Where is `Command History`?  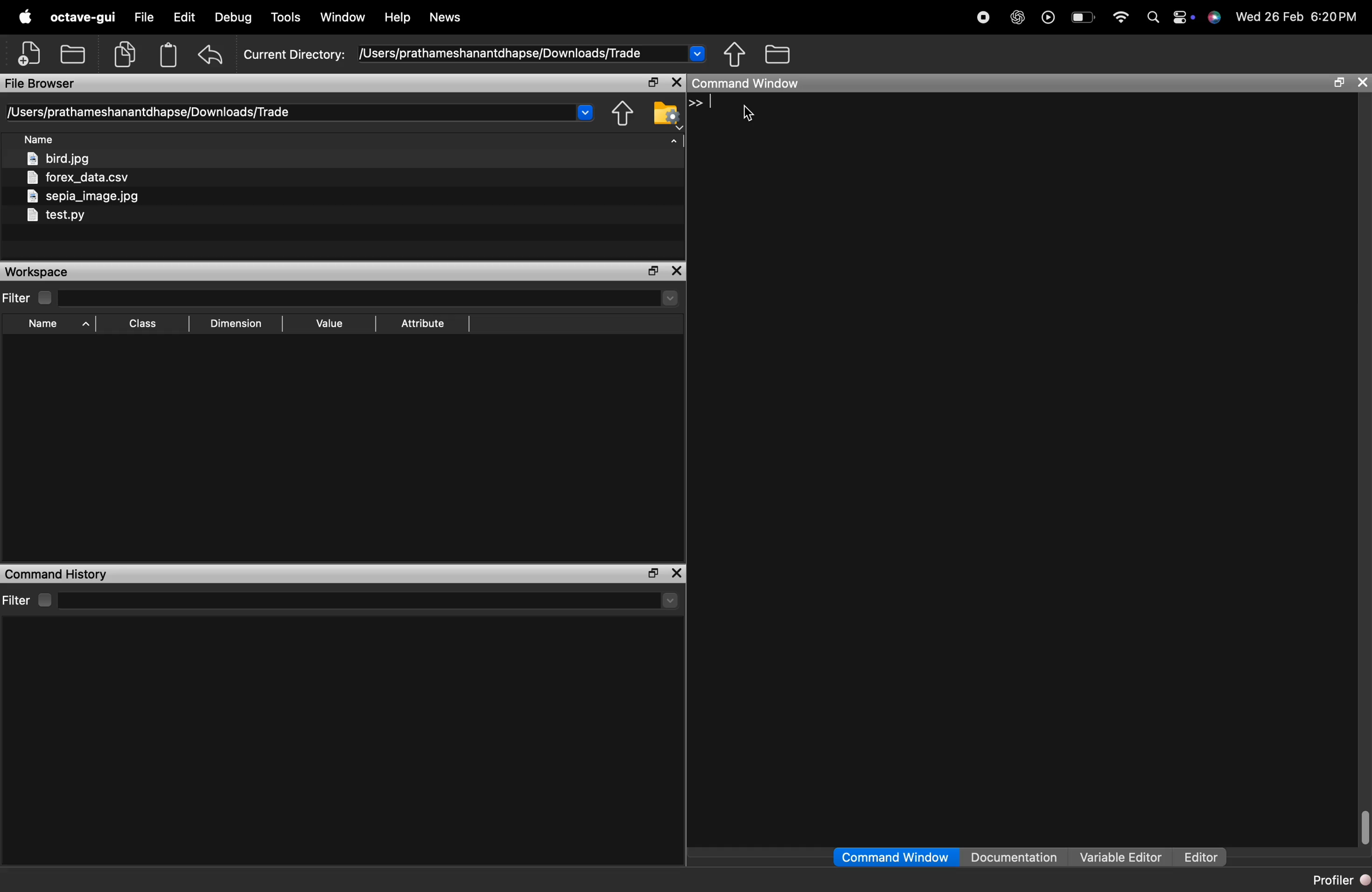
Command History is located at coordinates (56, 574).